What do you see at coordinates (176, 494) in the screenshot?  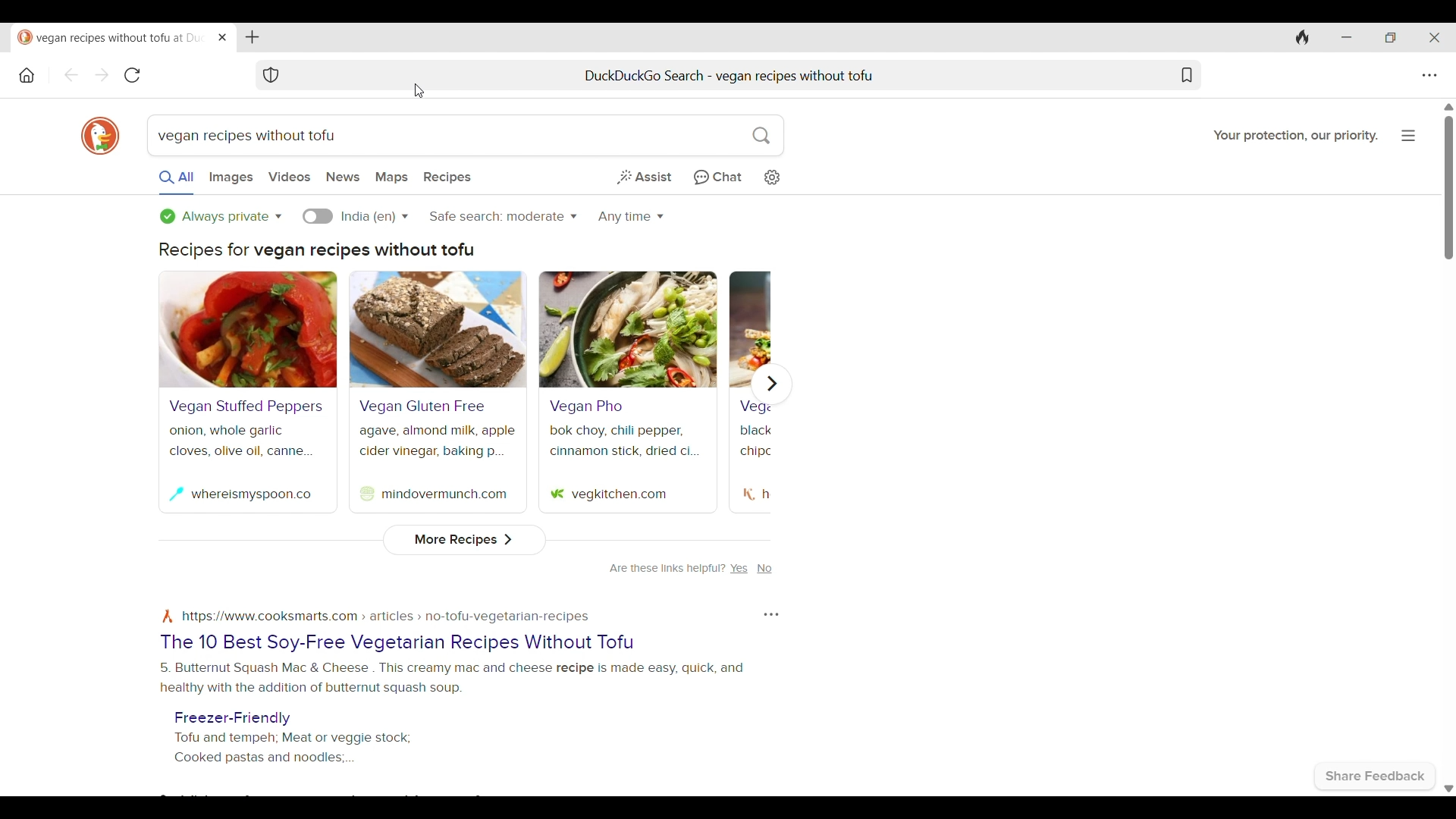 I see `Site logo` at bounding box center [176, 494].